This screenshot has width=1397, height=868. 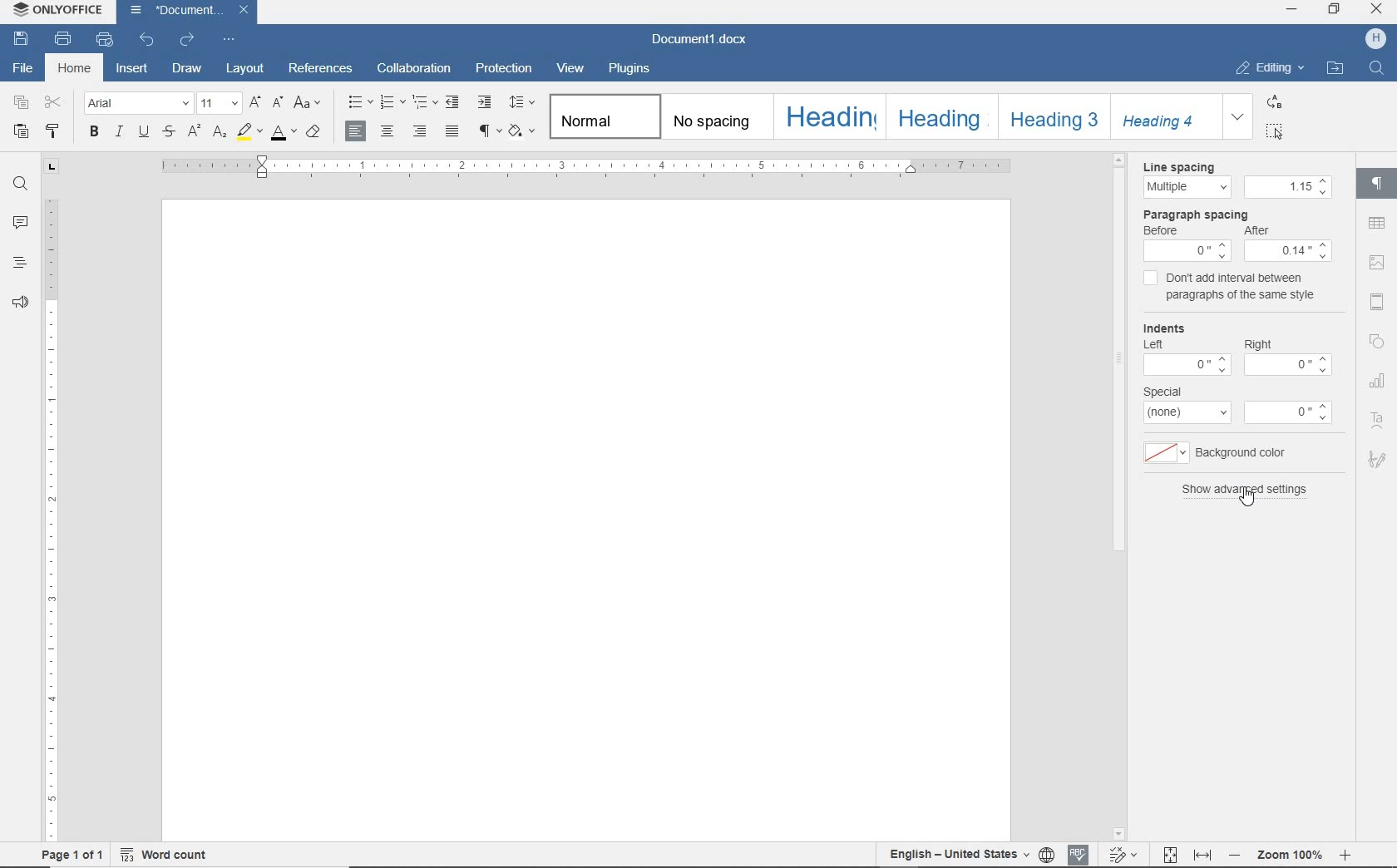 I want to click on subscript, so click(x=217, y=133).